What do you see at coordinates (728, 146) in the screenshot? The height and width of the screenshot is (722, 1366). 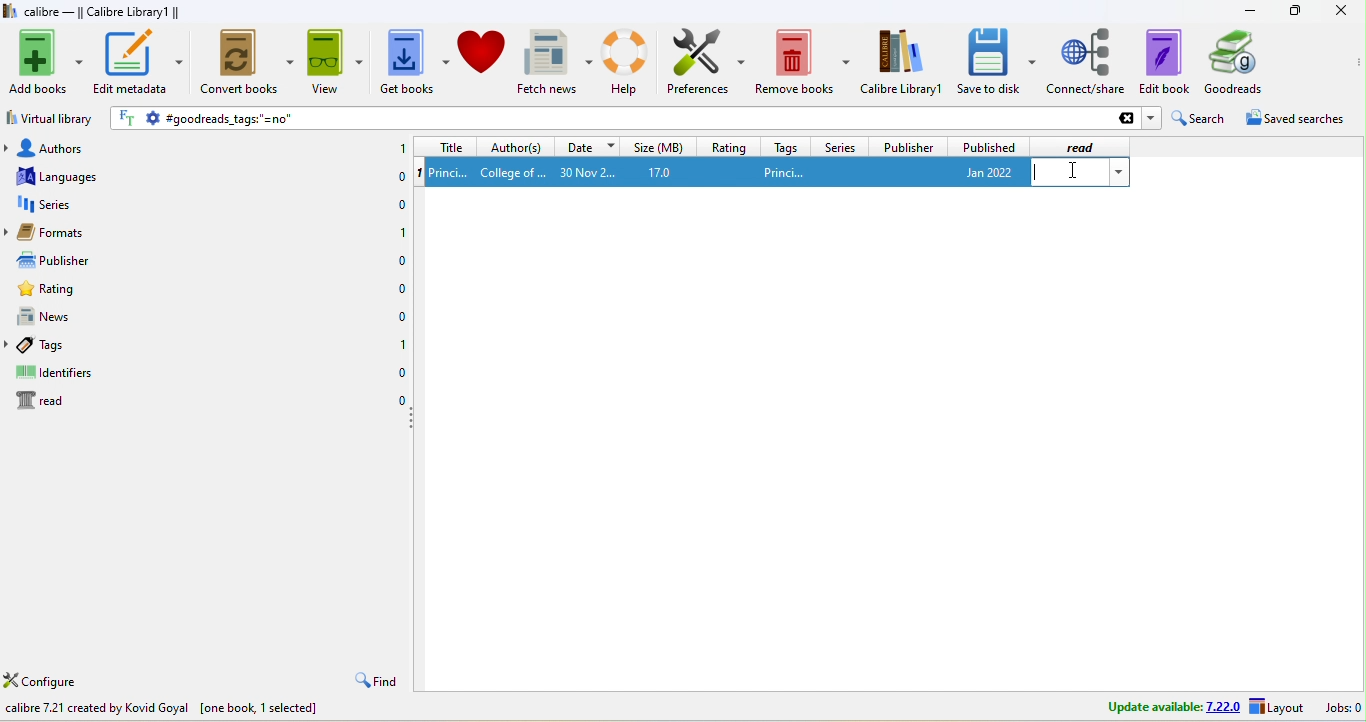 I see `rating` at bounding box center [728, 146].